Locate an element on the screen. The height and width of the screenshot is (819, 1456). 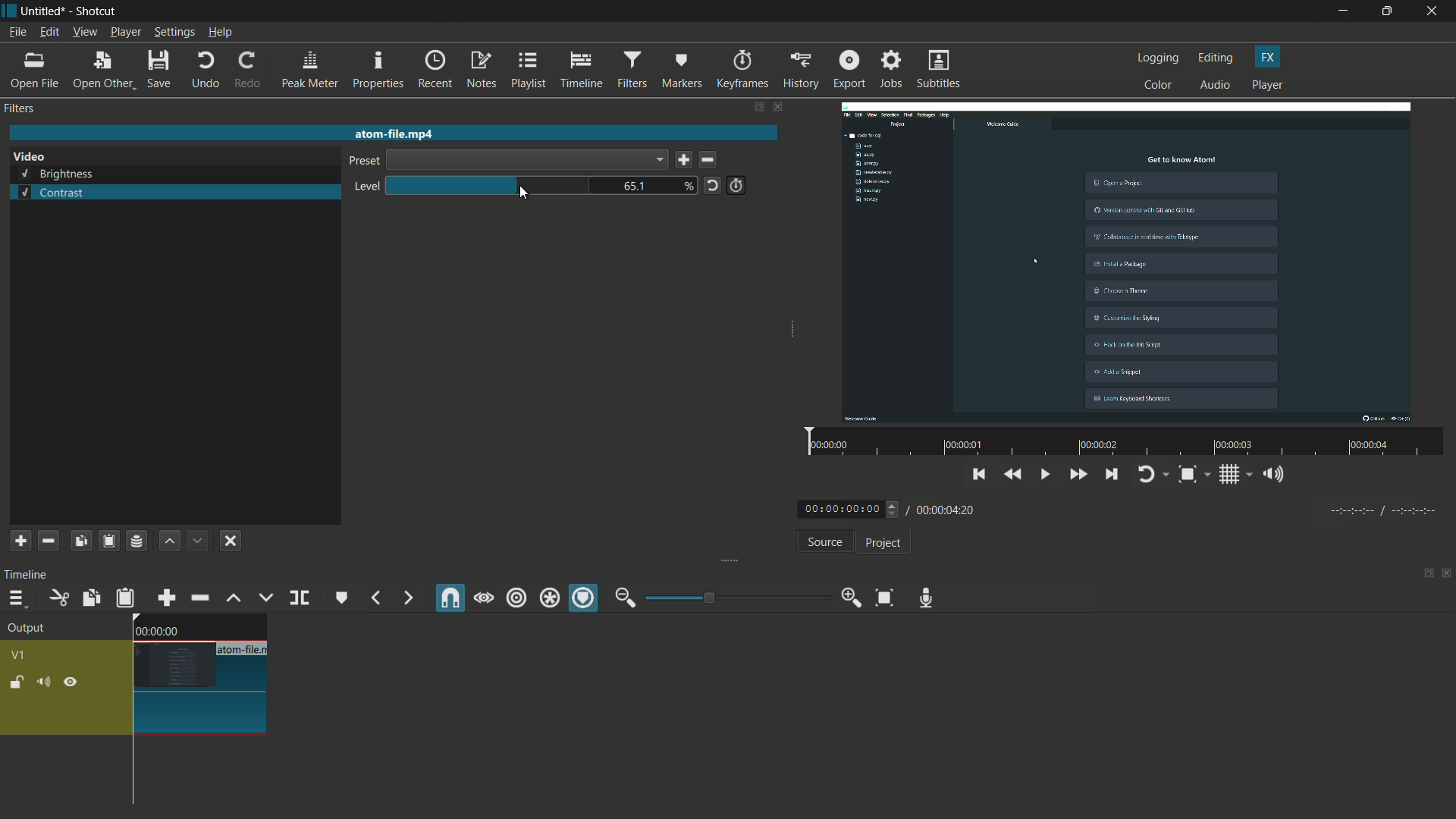
history is located at coordinates (799, 70).